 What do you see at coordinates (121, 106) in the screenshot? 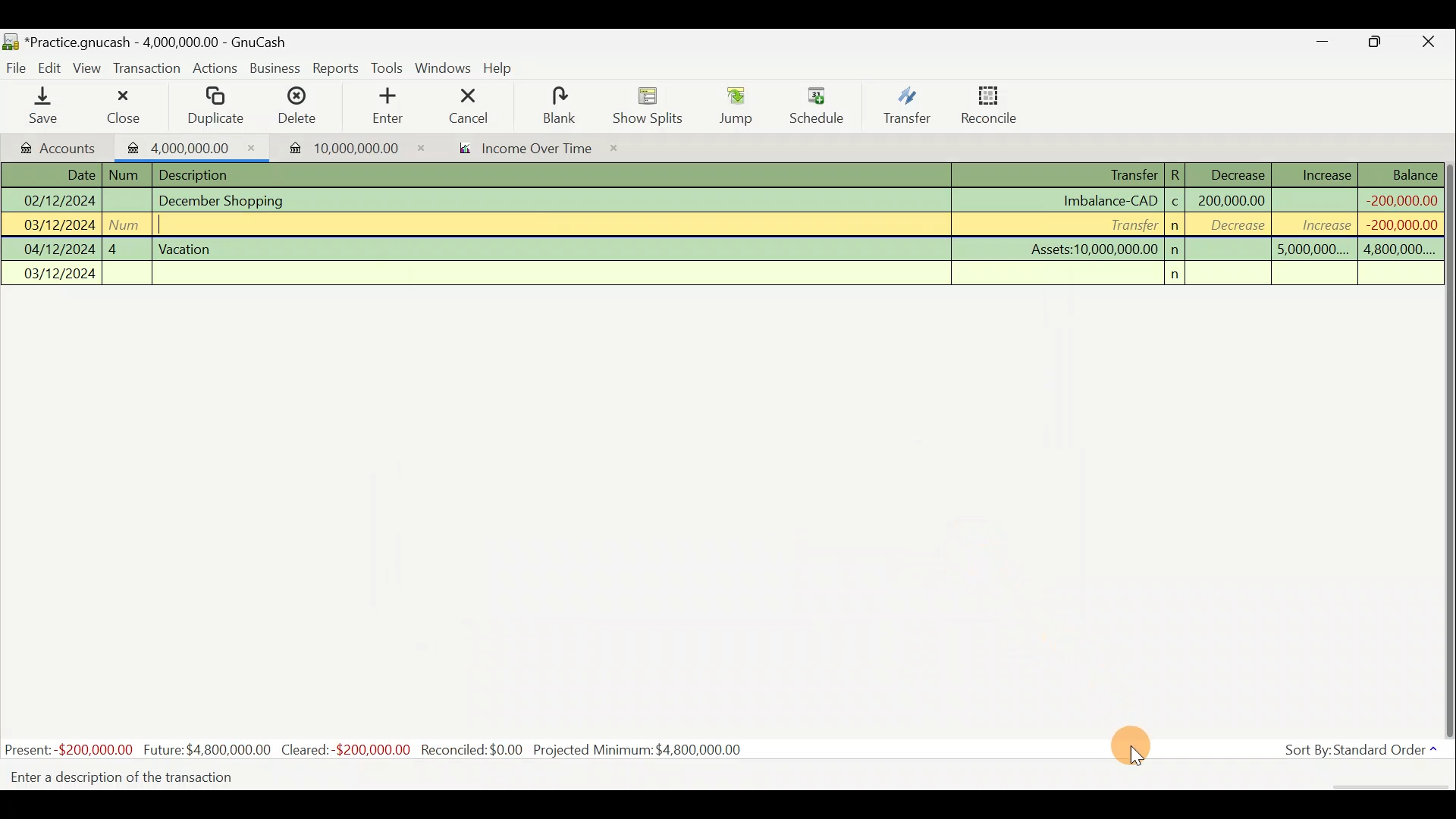
I see `Close` at bounding box center [121, 106].